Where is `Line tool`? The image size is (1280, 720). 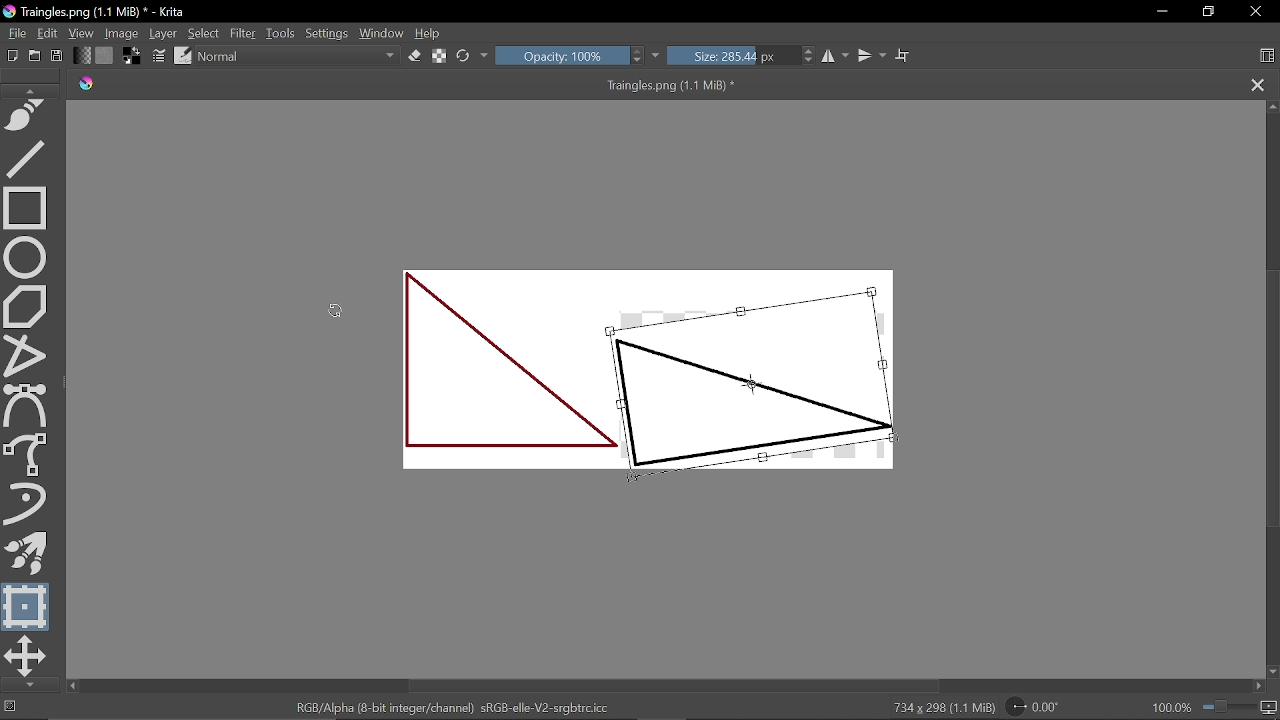
Line tool is located at coordinates (30, 158).